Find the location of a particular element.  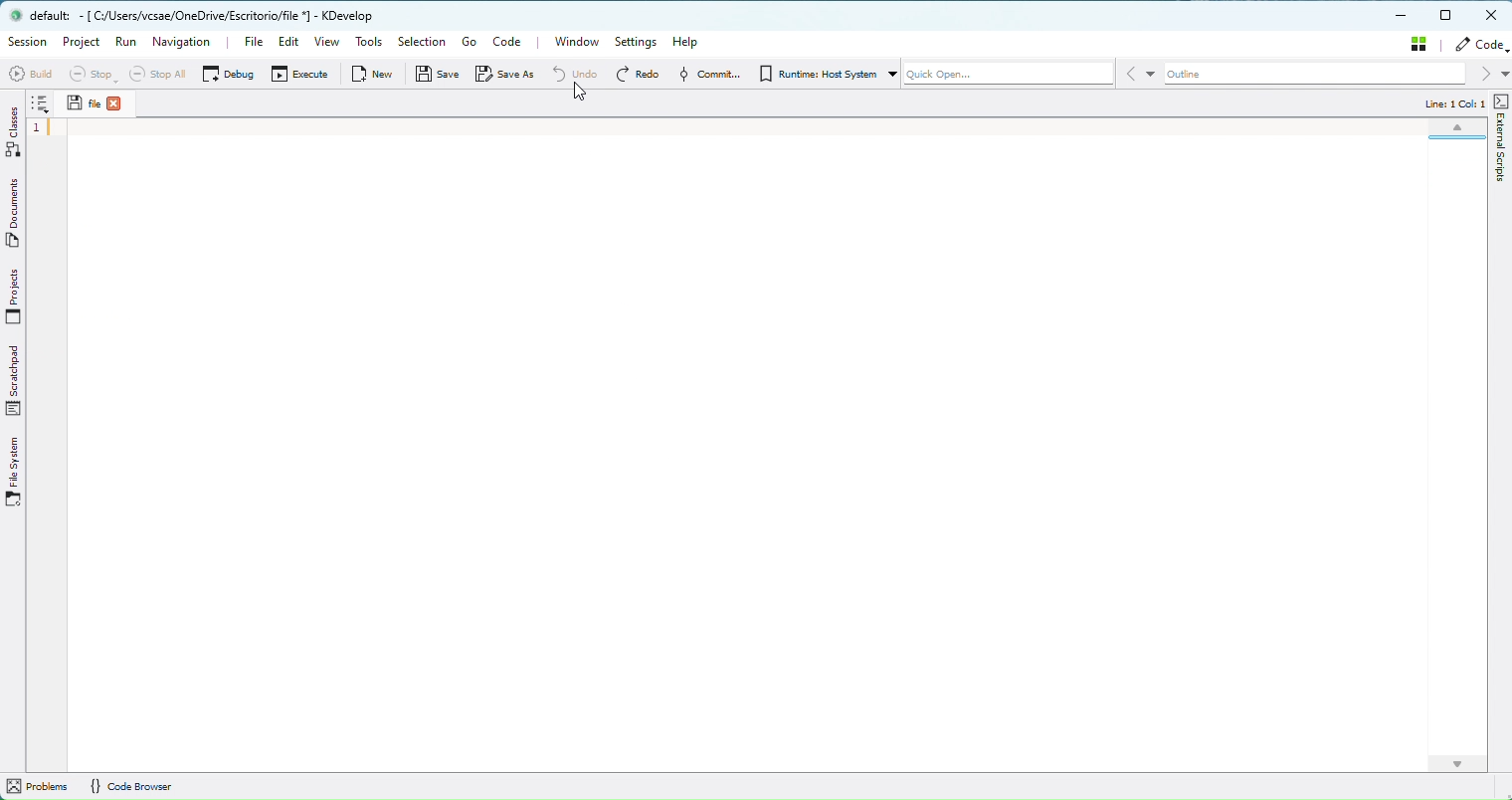

Outline is located at coordinates (1330, 74).